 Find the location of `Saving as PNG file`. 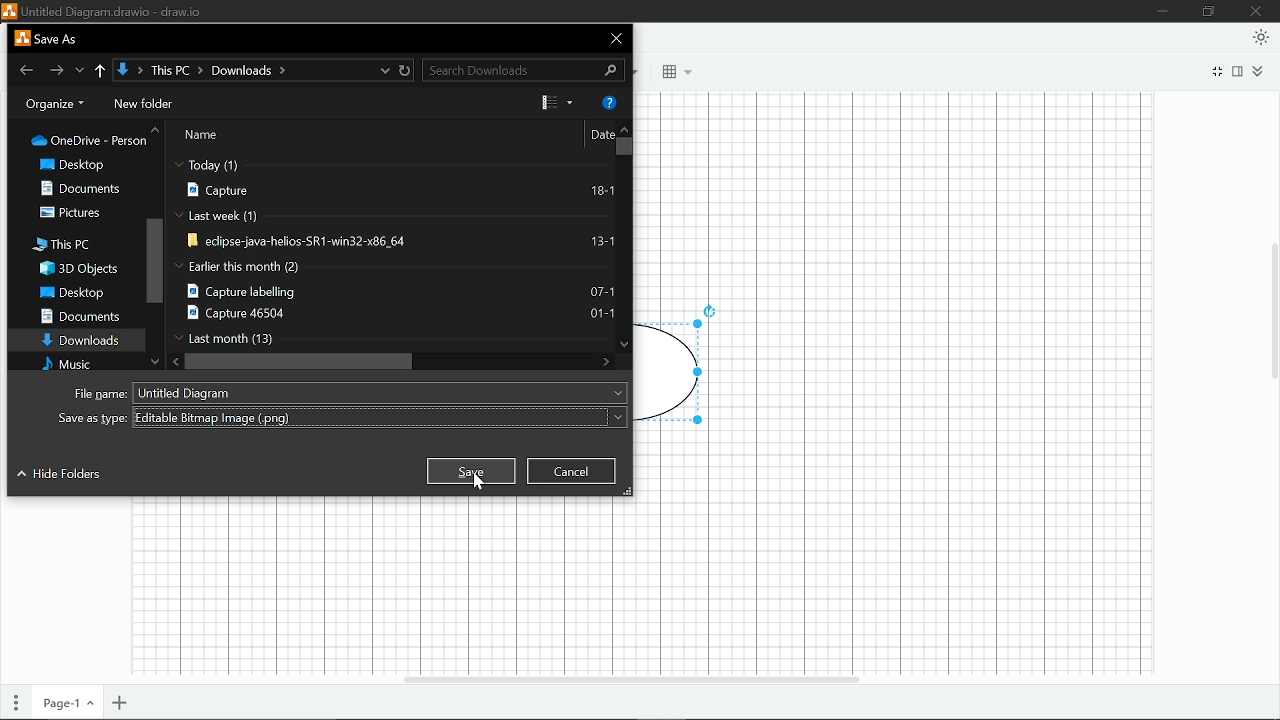

Saving as PNG file is located at coordinates (343, 418).